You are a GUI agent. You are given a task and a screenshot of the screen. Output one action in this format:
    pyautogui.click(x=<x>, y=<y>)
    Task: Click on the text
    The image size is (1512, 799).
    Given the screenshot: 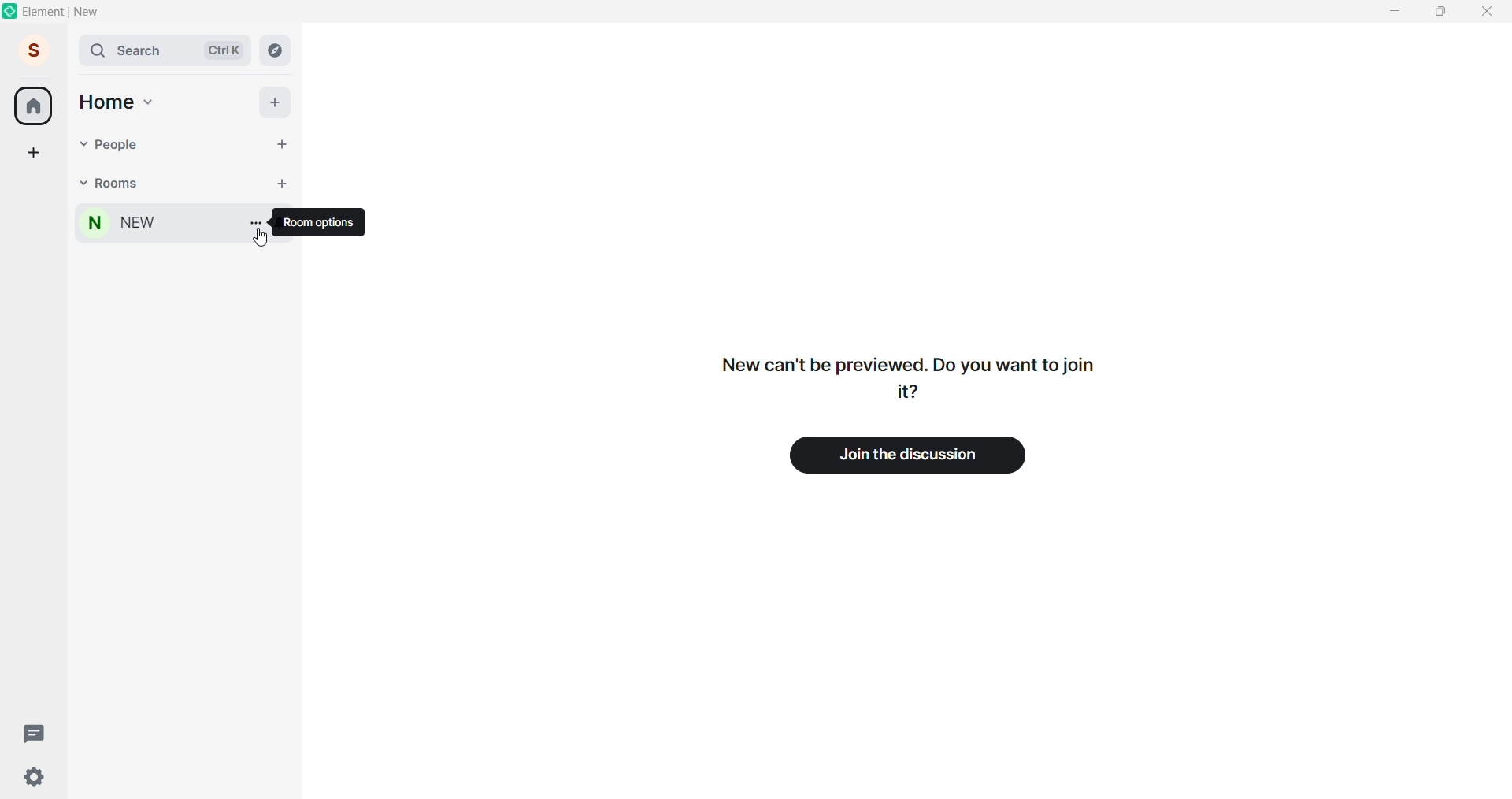 What is the action you would take?
    pyautogui.click(x=913, y=377)
    